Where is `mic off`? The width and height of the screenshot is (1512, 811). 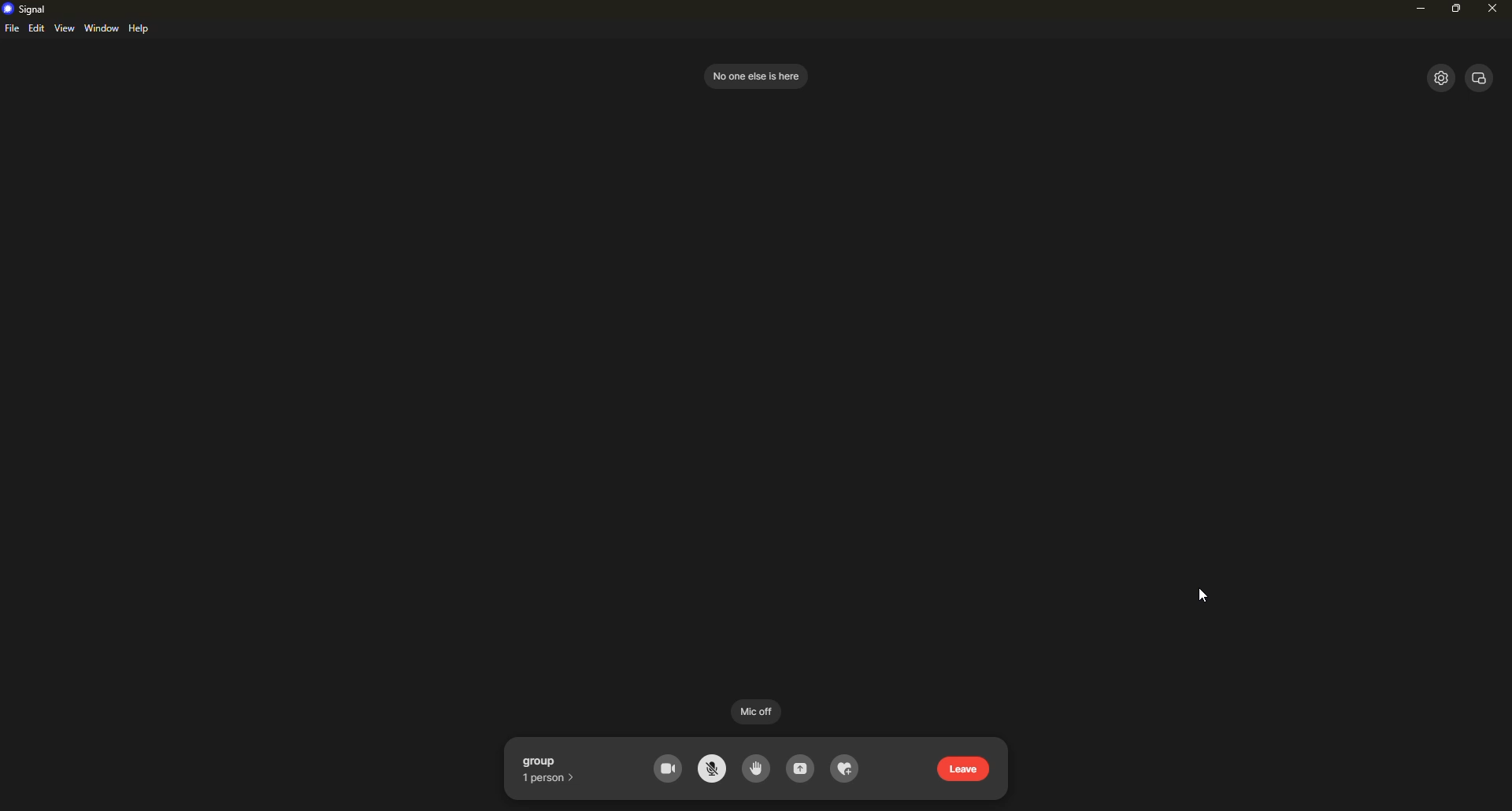
mic off is located at coordinates (713, 767).